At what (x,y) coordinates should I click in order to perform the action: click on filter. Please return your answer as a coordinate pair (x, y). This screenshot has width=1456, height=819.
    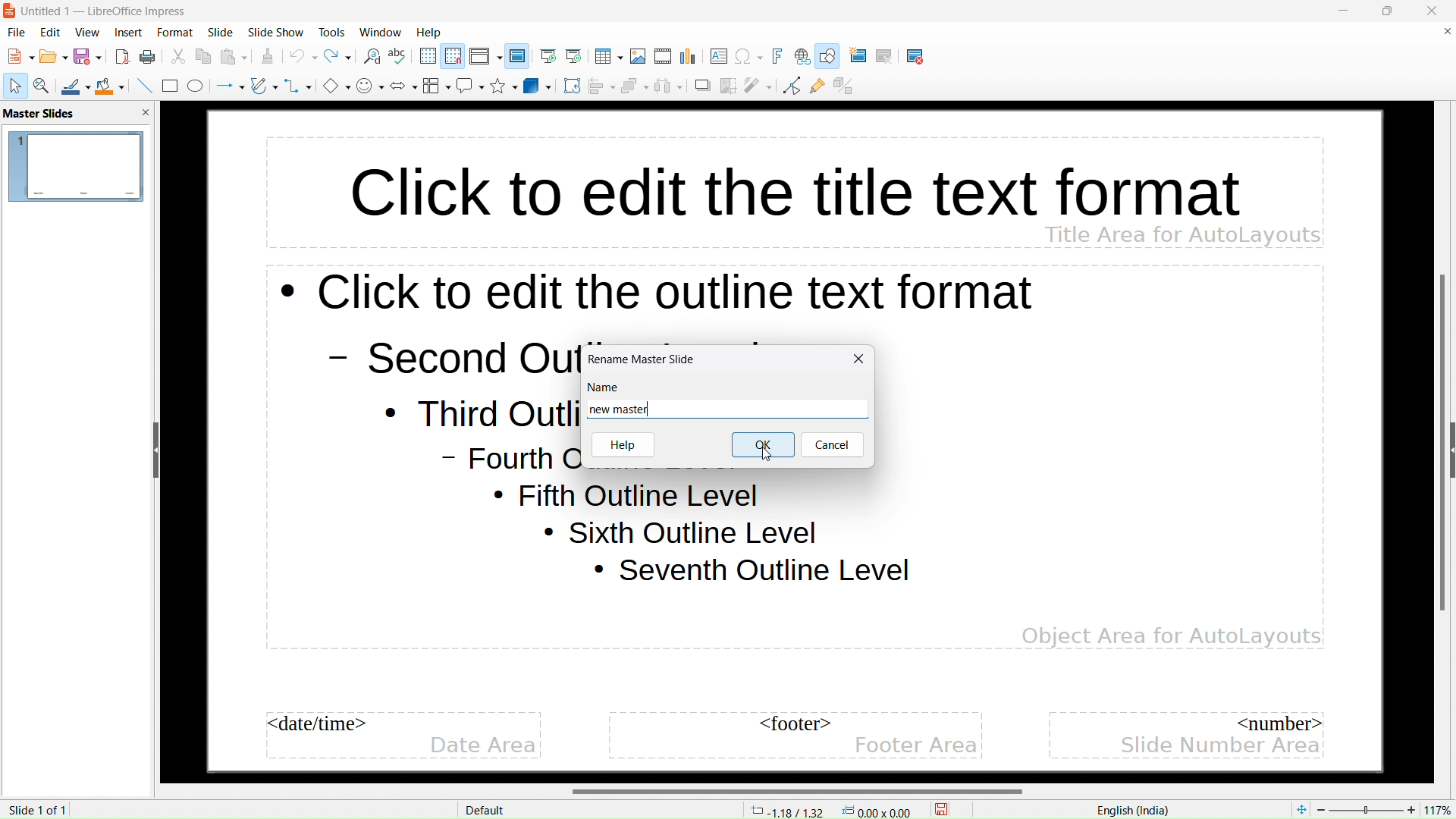
    Looking at the image, I should click on (758, 85).